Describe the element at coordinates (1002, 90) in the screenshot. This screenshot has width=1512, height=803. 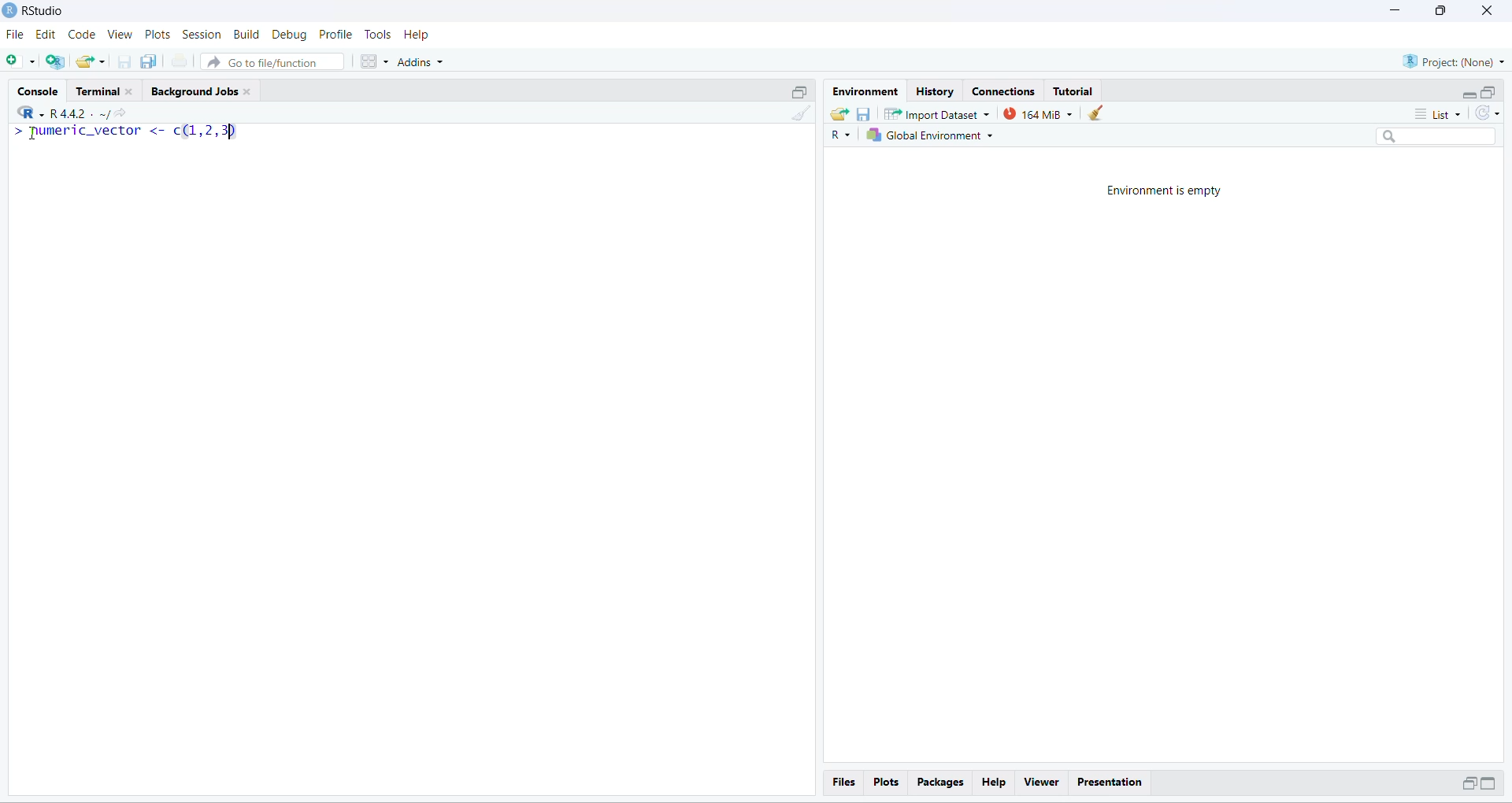
I see `Connections` at that location.